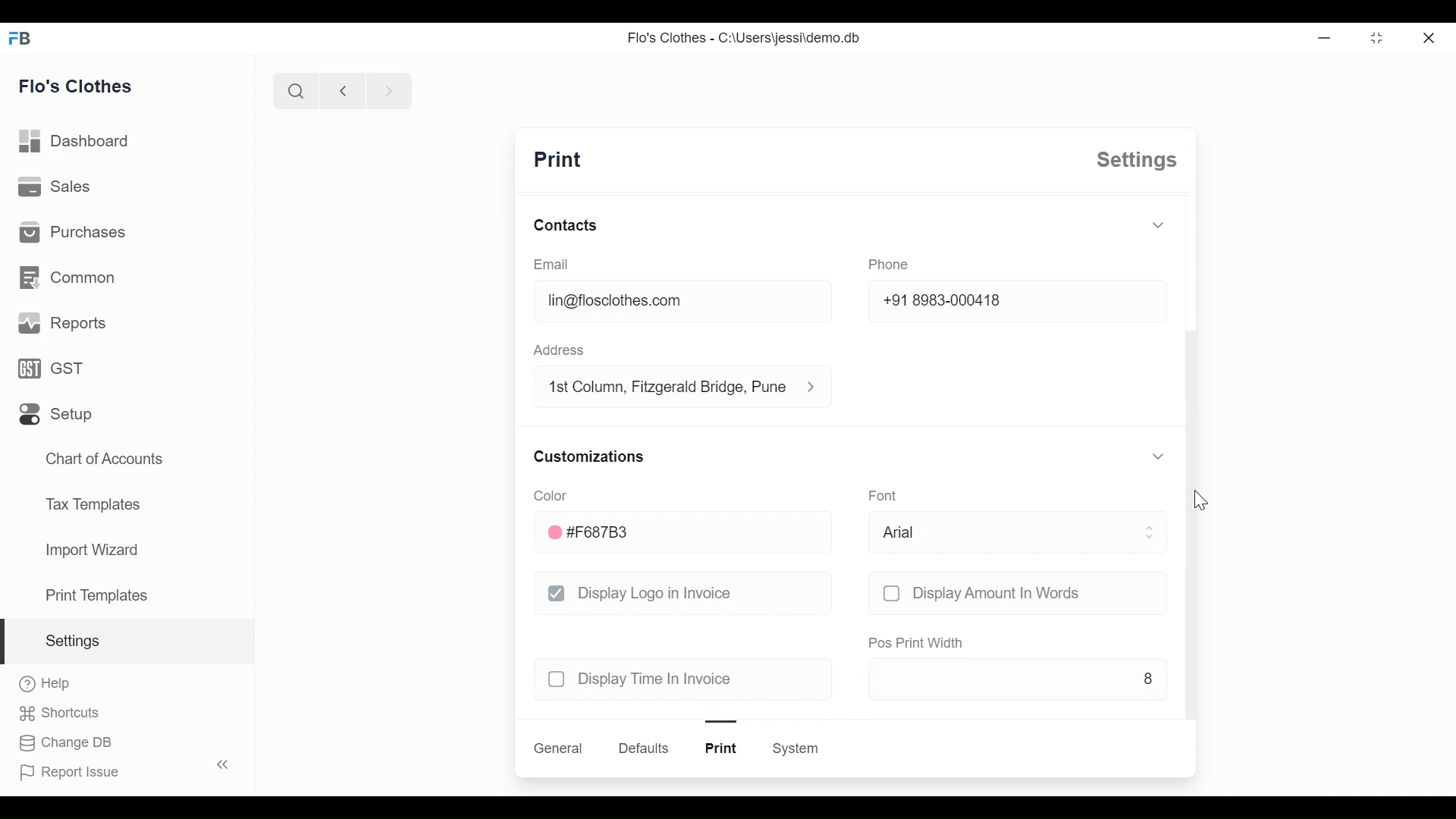 The width and height of the screenshot is (1456, 819). What do you see at coordinates (75, 141) in the screenshot?
I see `dashboard` at bounding box center [75, 141].